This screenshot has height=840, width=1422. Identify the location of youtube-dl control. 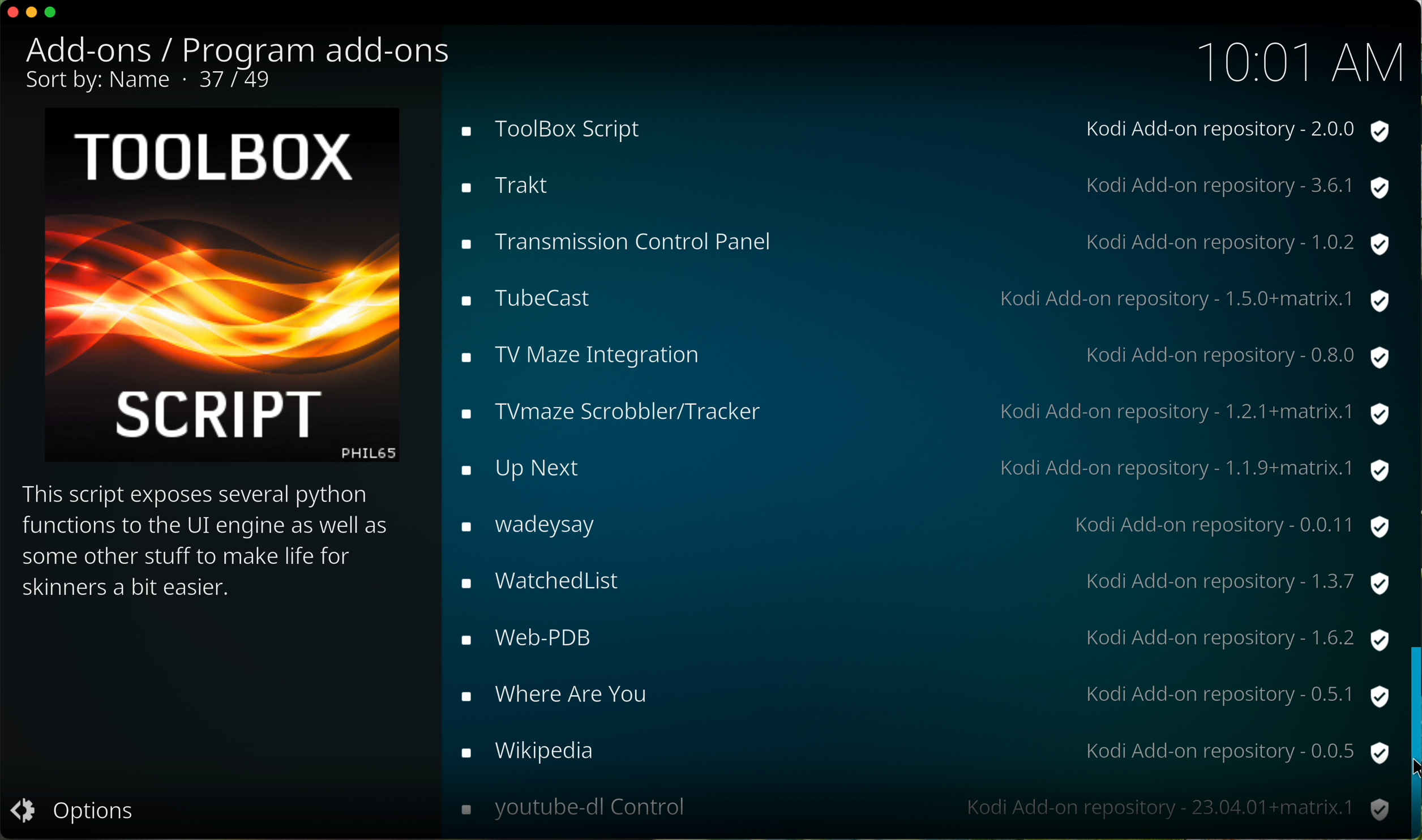
(922, 808).